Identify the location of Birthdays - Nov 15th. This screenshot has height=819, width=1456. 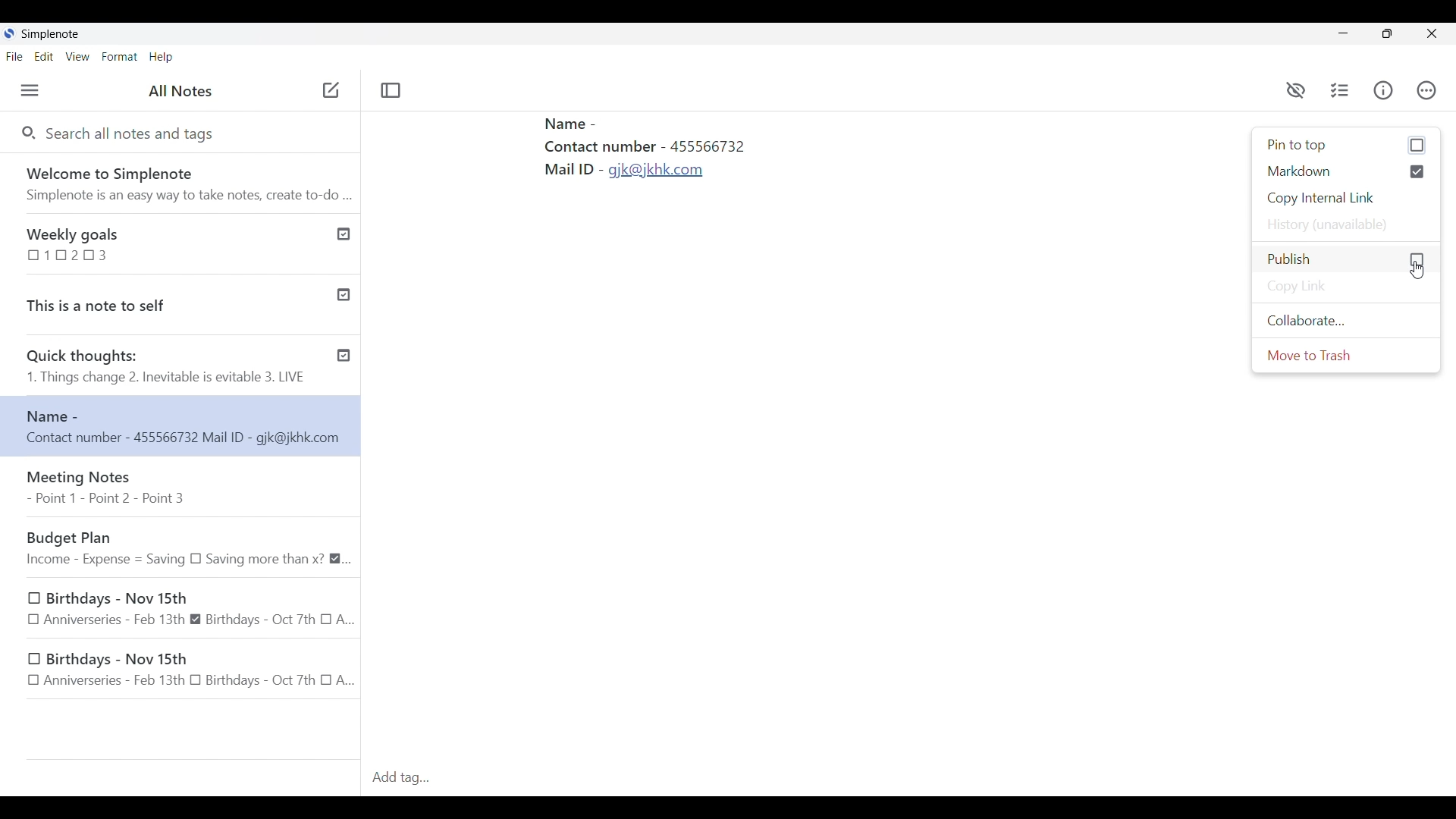
(184, 671).